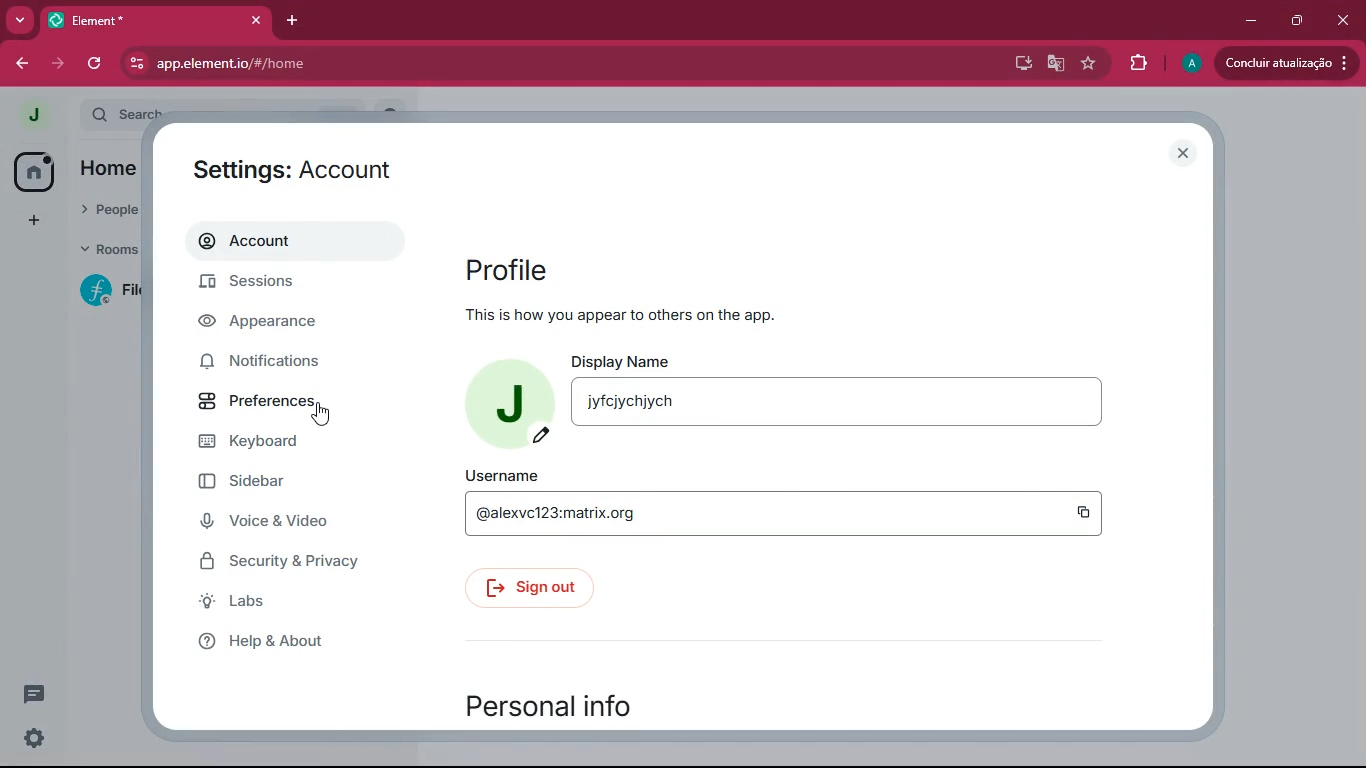 This screenshot has height=768, width=1366. What do you see at coordinates (19, 19) in the screenshot?
I see `more` at bounding box center [19, 19].